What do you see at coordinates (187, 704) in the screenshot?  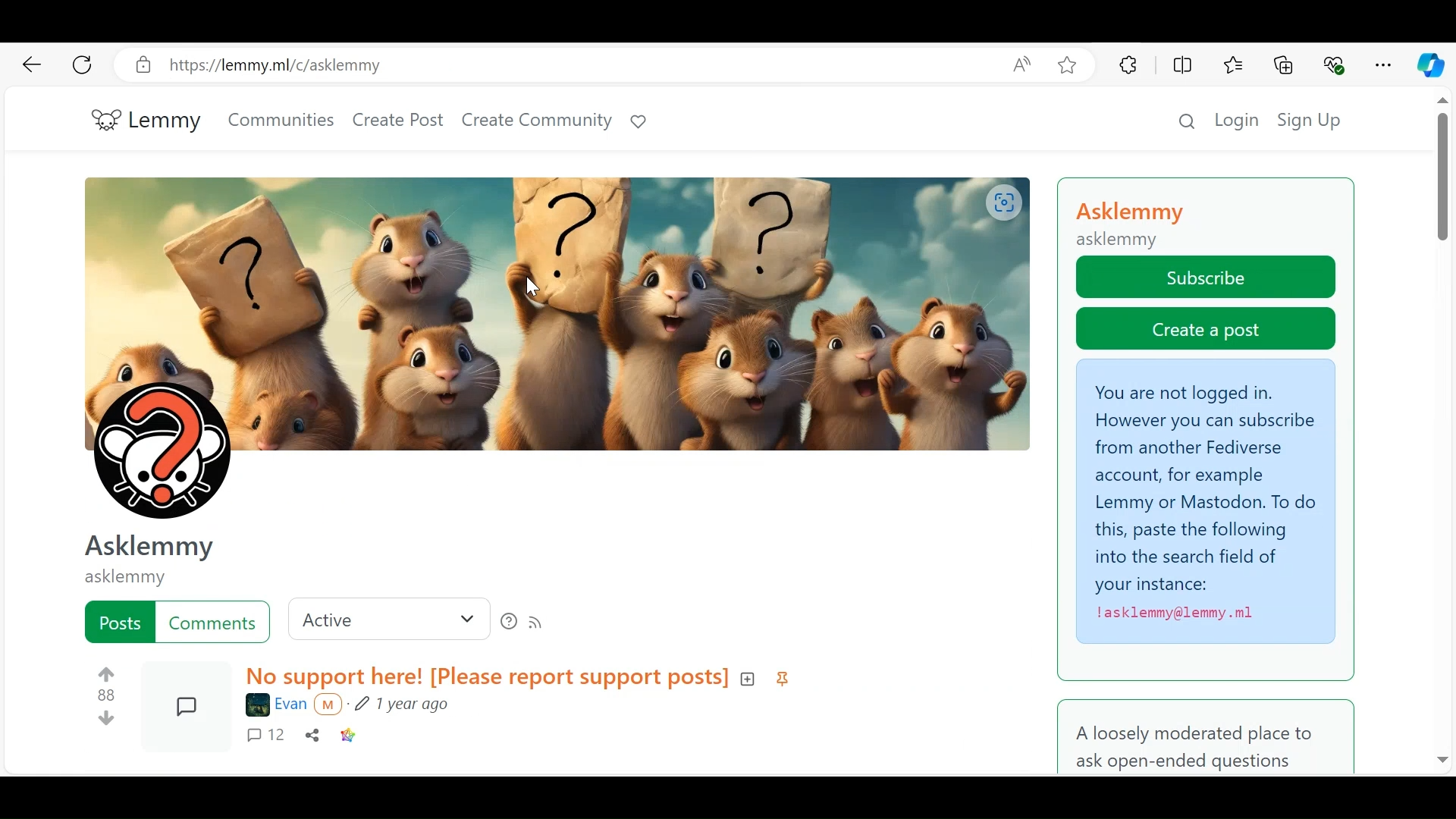 I see `comments` at bounding box center [187, 704].